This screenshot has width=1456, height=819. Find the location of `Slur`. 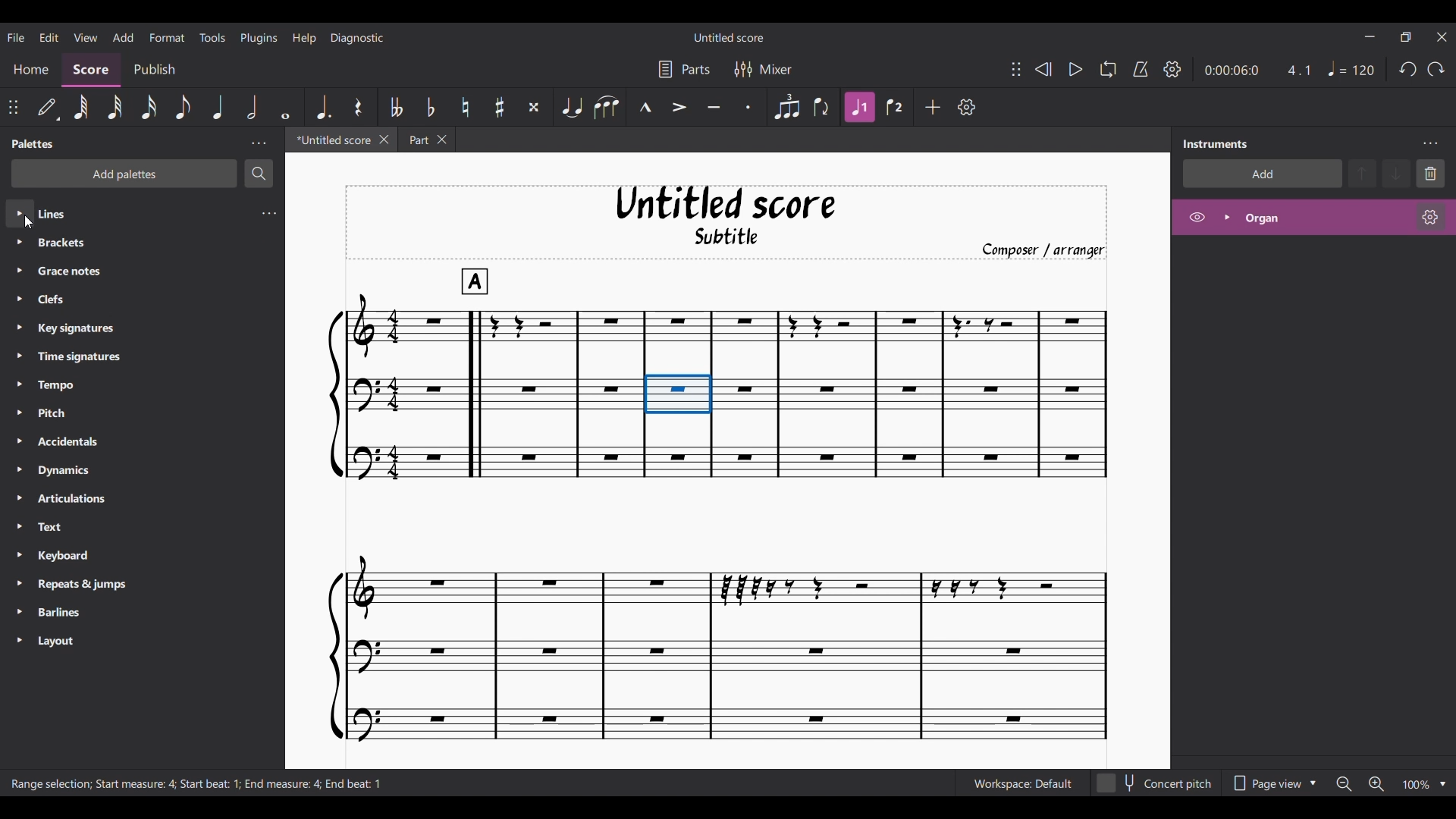

Slur is located at coordinates (607, 108).